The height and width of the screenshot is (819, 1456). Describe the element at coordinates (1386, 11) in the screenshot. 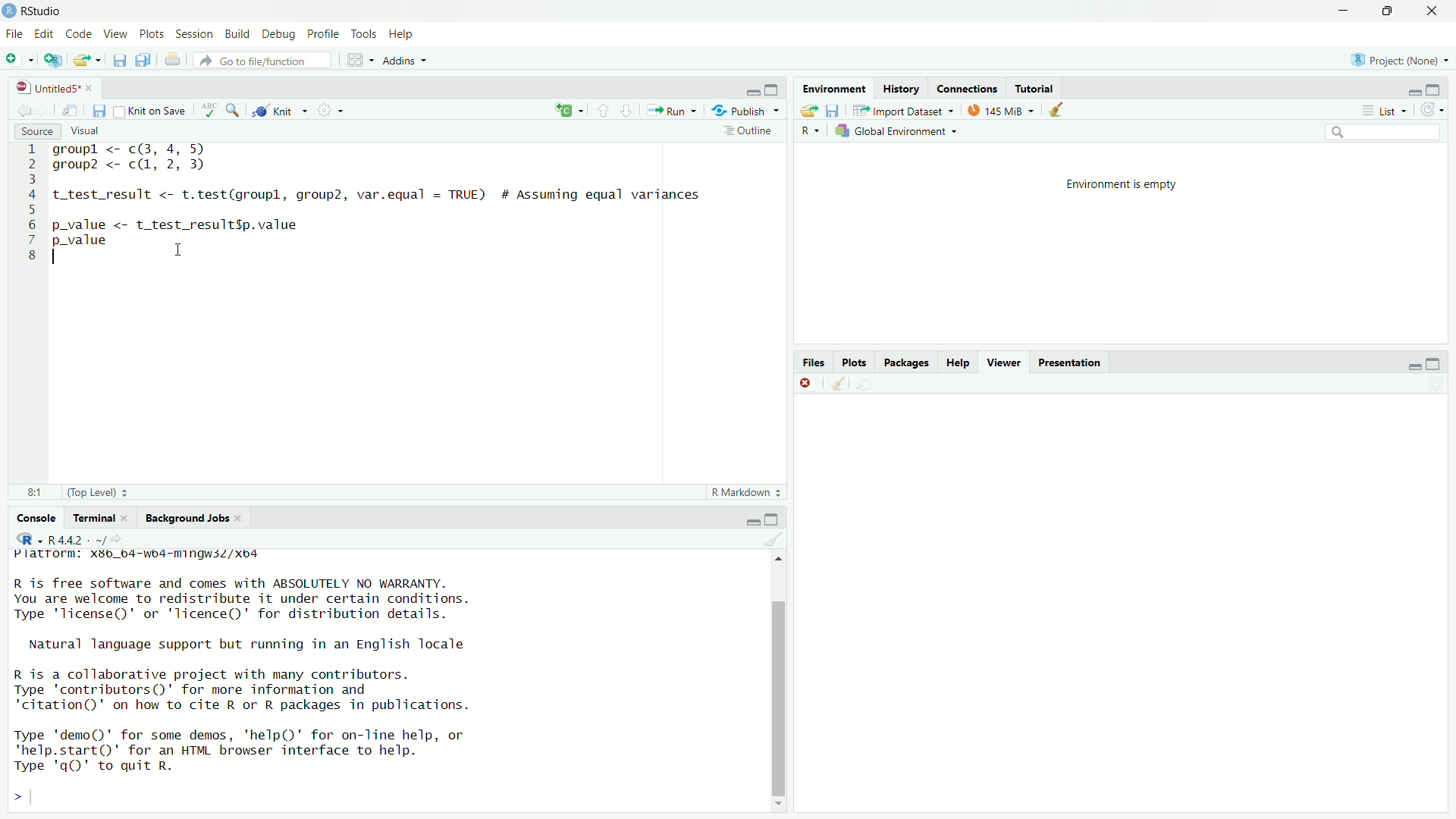

I see `DOWN` at that location.